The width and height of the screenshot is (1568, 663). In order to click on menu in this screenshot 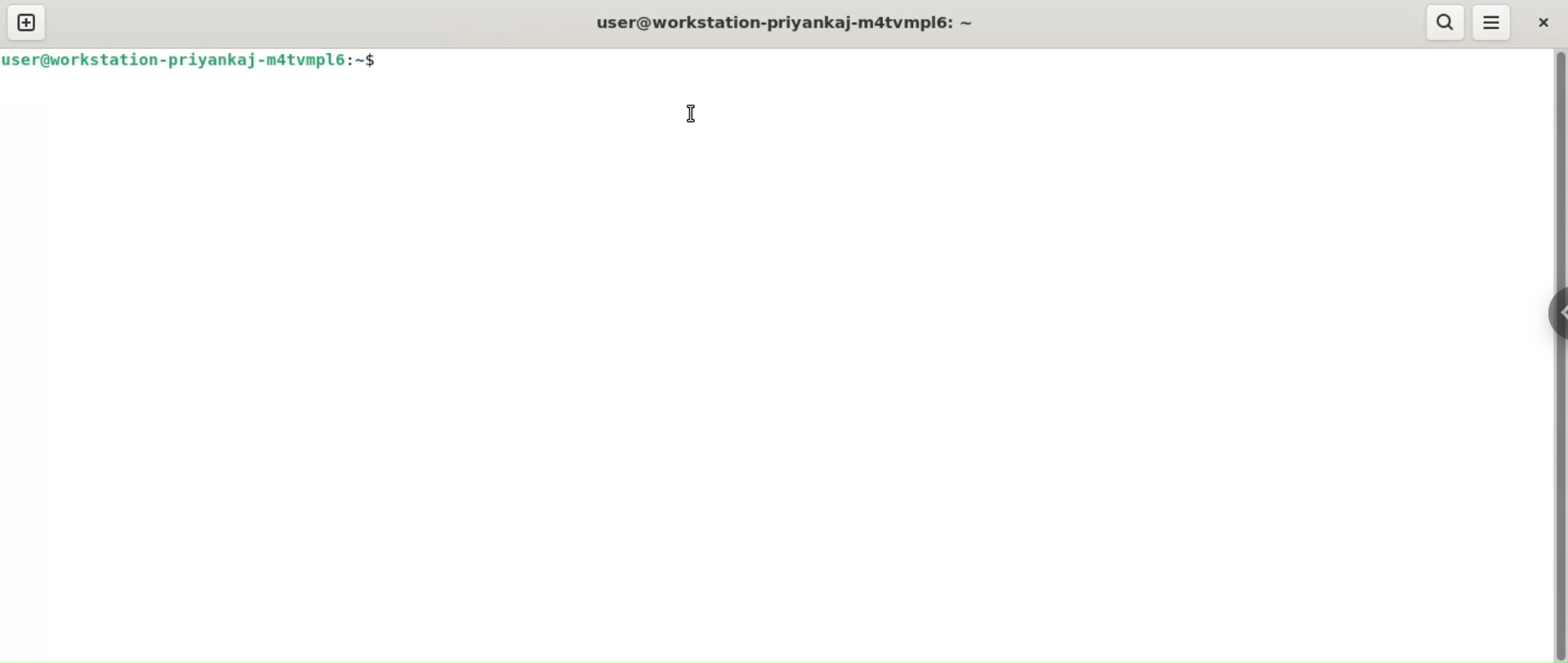, I will do `click(1494, 22)`.